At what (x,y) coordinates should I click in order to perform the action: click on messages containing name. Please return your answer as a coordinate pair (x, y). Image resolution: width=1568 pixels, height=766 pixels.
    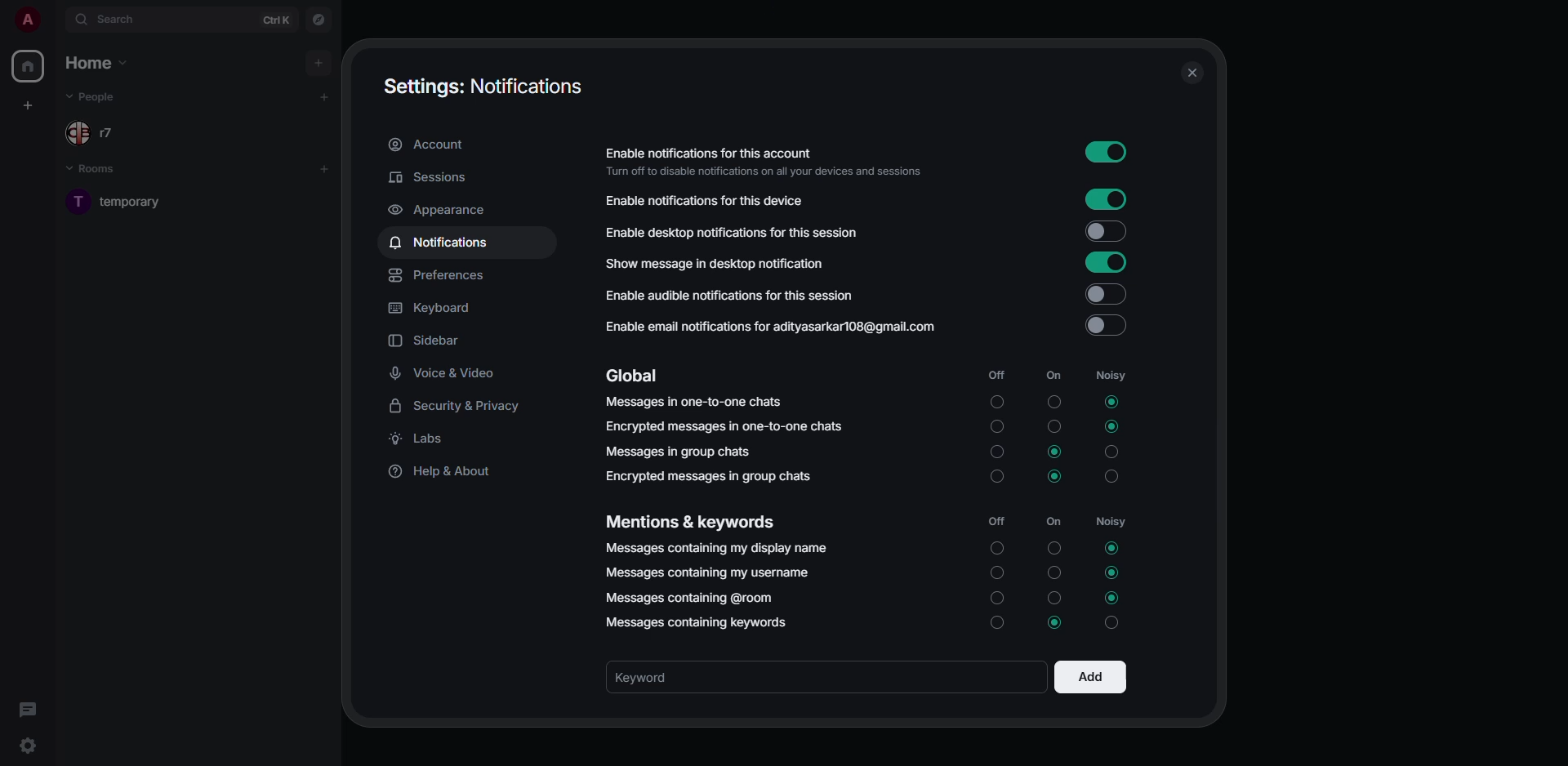
    Looking at the image, I should click on (718, 550).